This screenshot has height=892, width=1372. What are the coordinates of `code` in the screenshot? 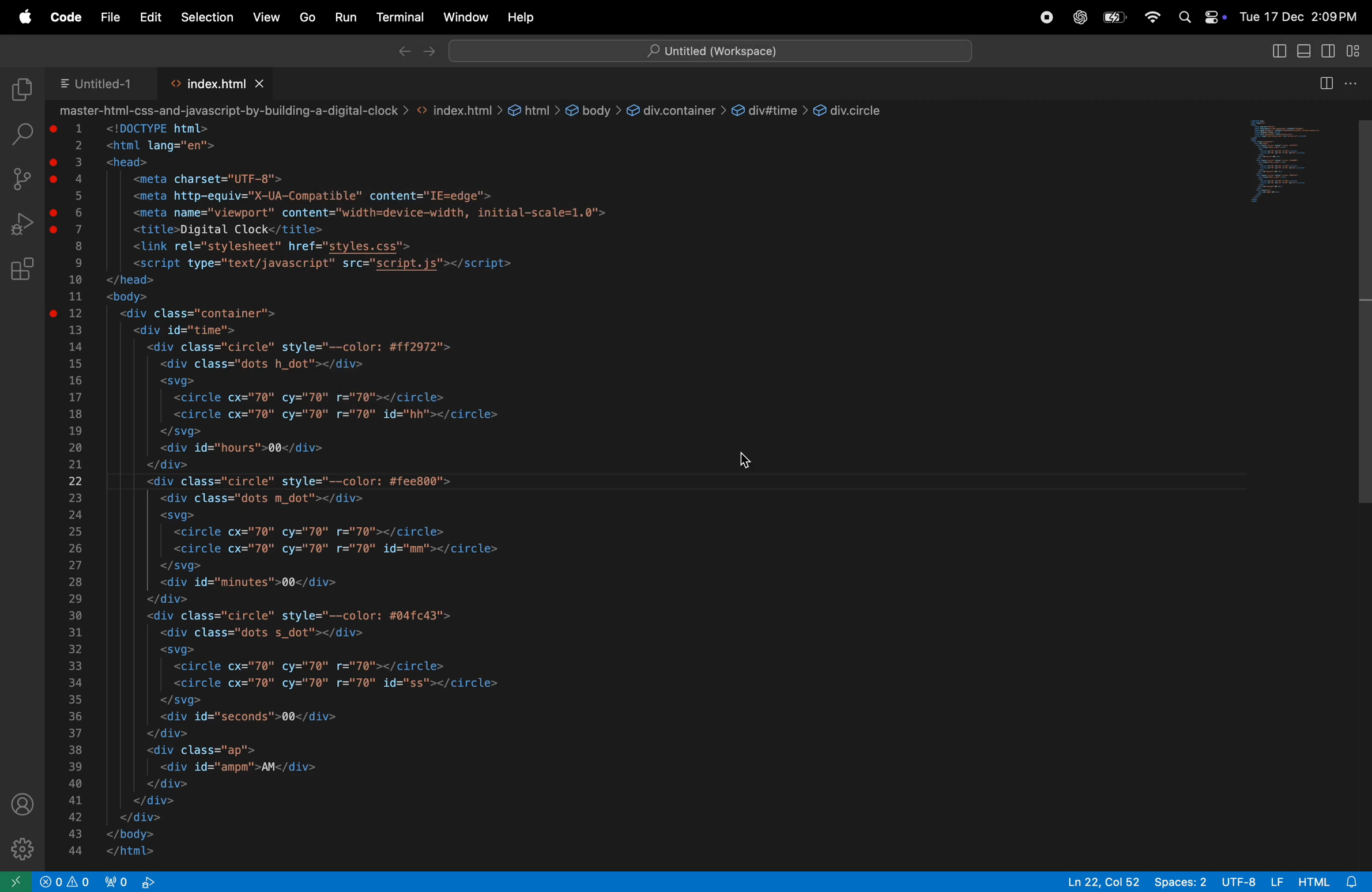 It's located at (65, 17).